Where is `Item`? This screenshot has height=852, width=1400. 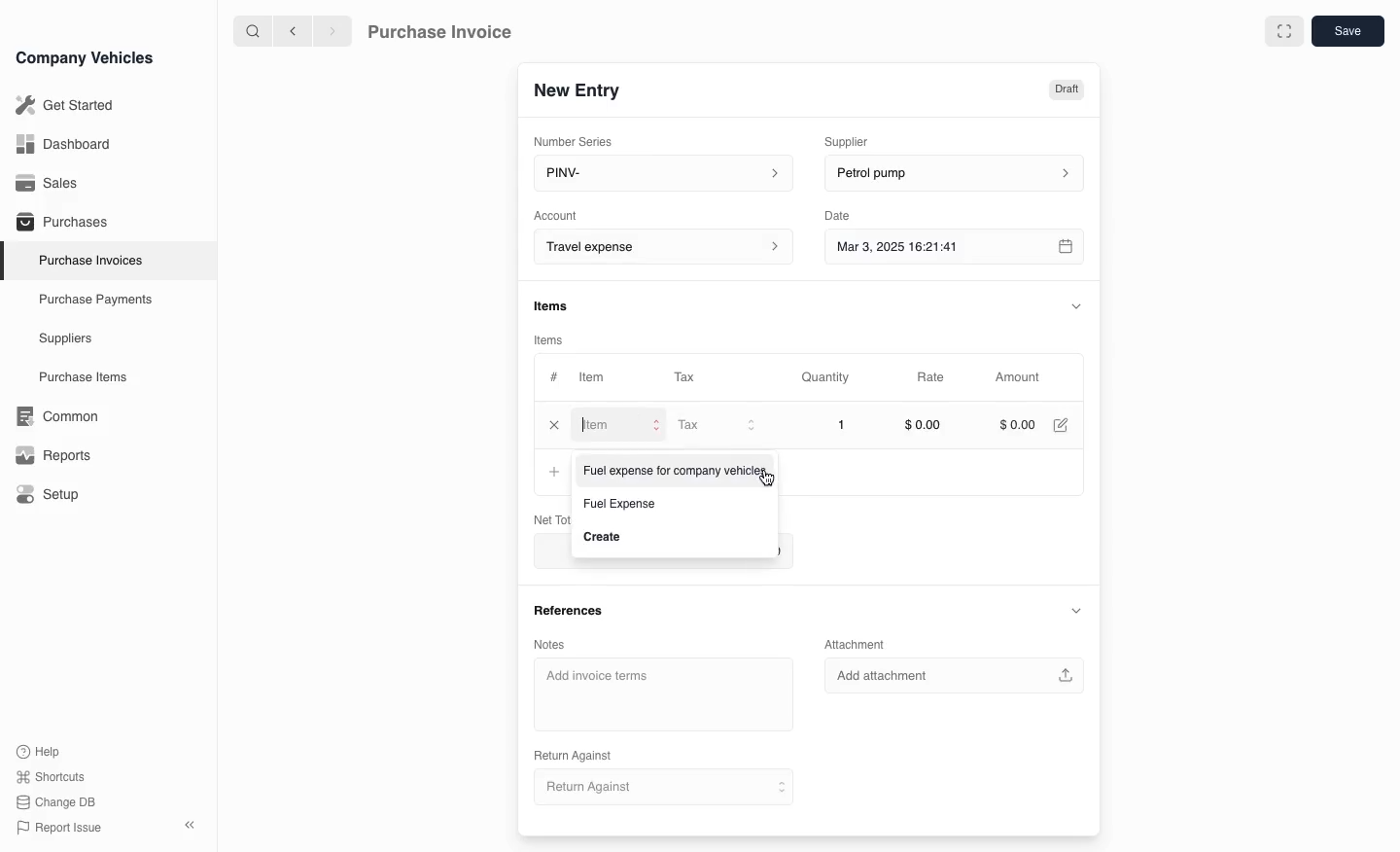 Item is located at coordinates (590, 379).